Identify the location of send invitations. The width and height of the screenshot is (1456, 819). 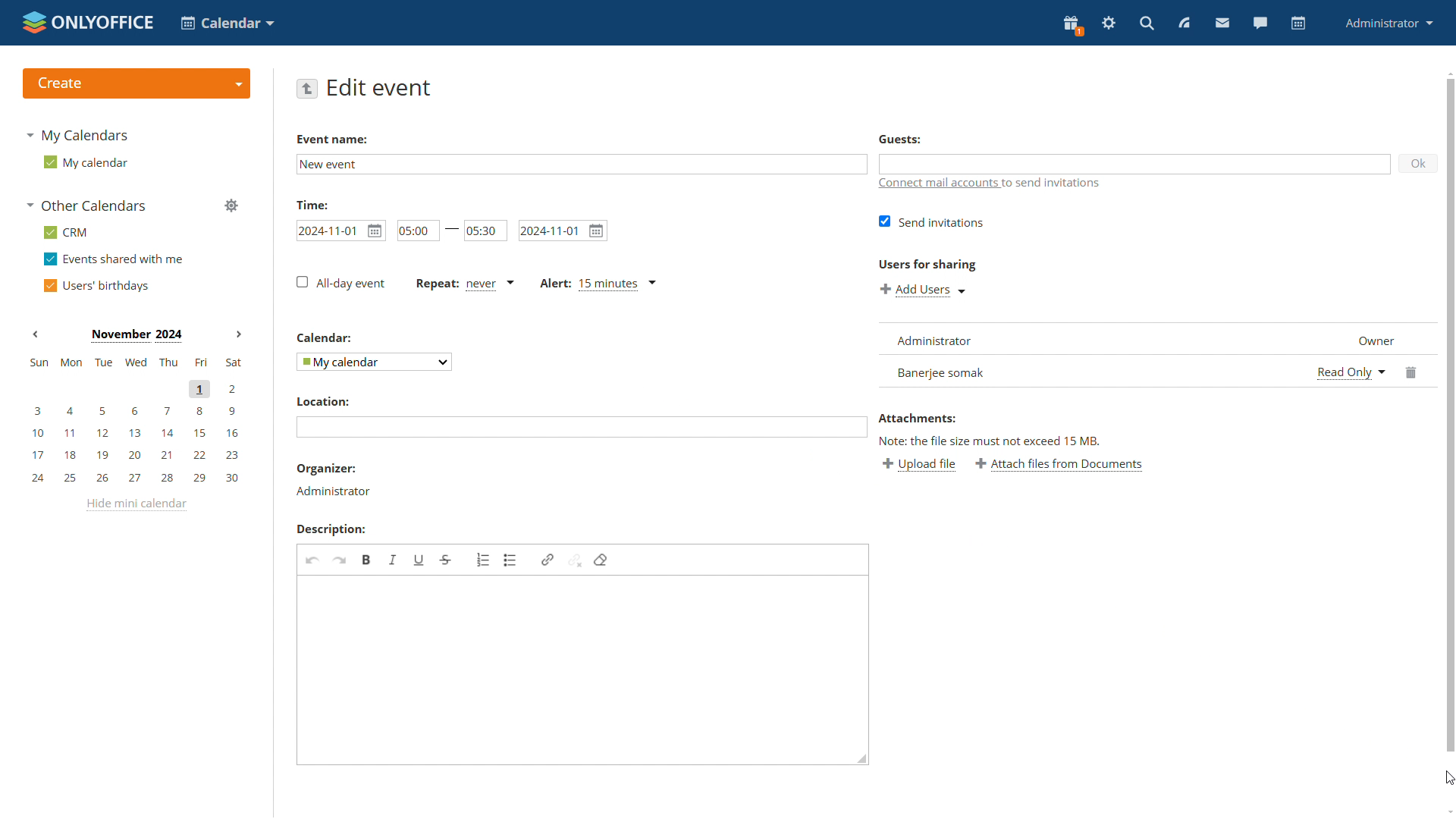
(934, 221).